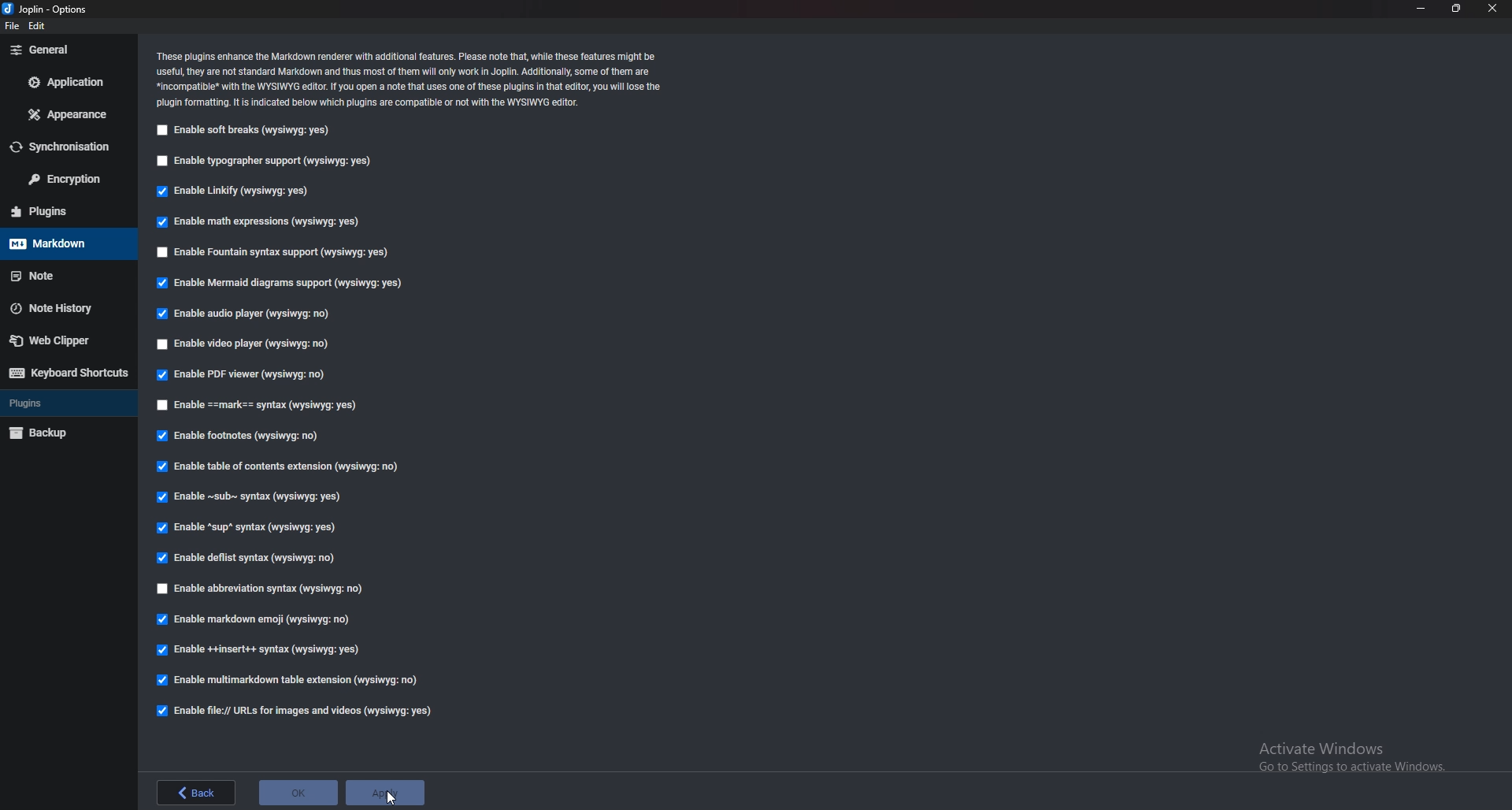 The width and height of the screenshot is (1512, 810). I want to click on Appearance, so click(67, 113).